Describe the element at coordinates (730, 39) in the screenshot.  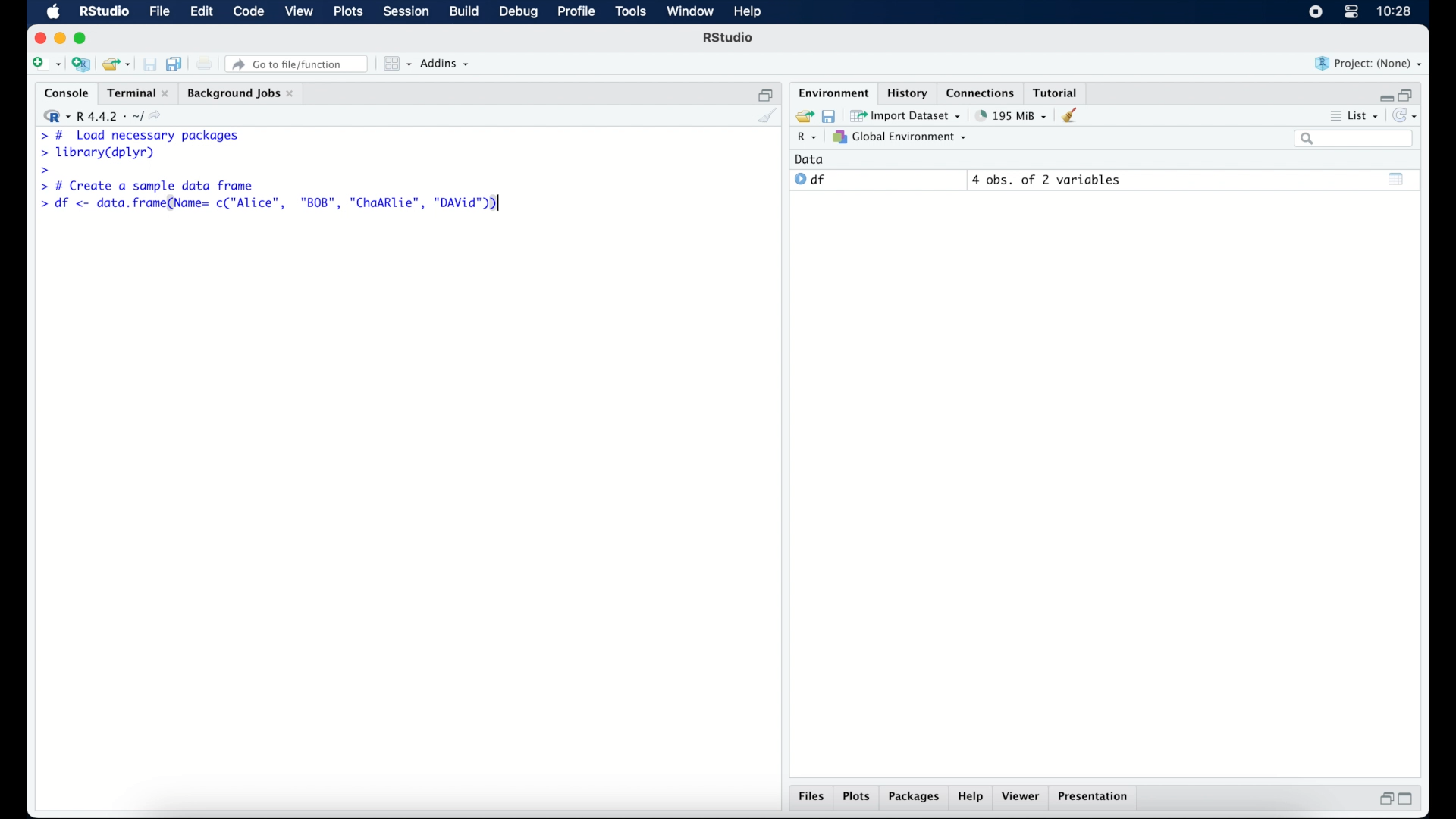
I see `R Studio` at that location.